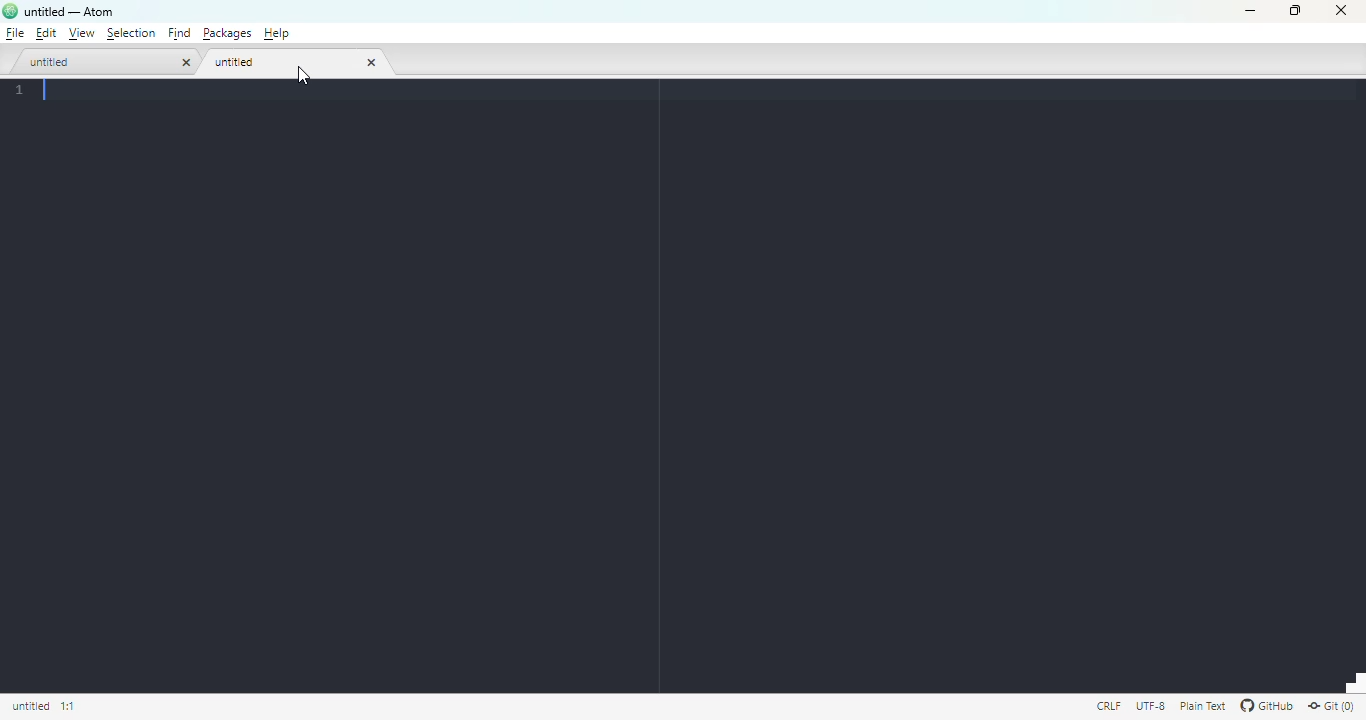 The image size is (1366, 720). What do you see at coordinates (15, 33) in the screenshot?
I see `file` at bounding box center [15, 33].